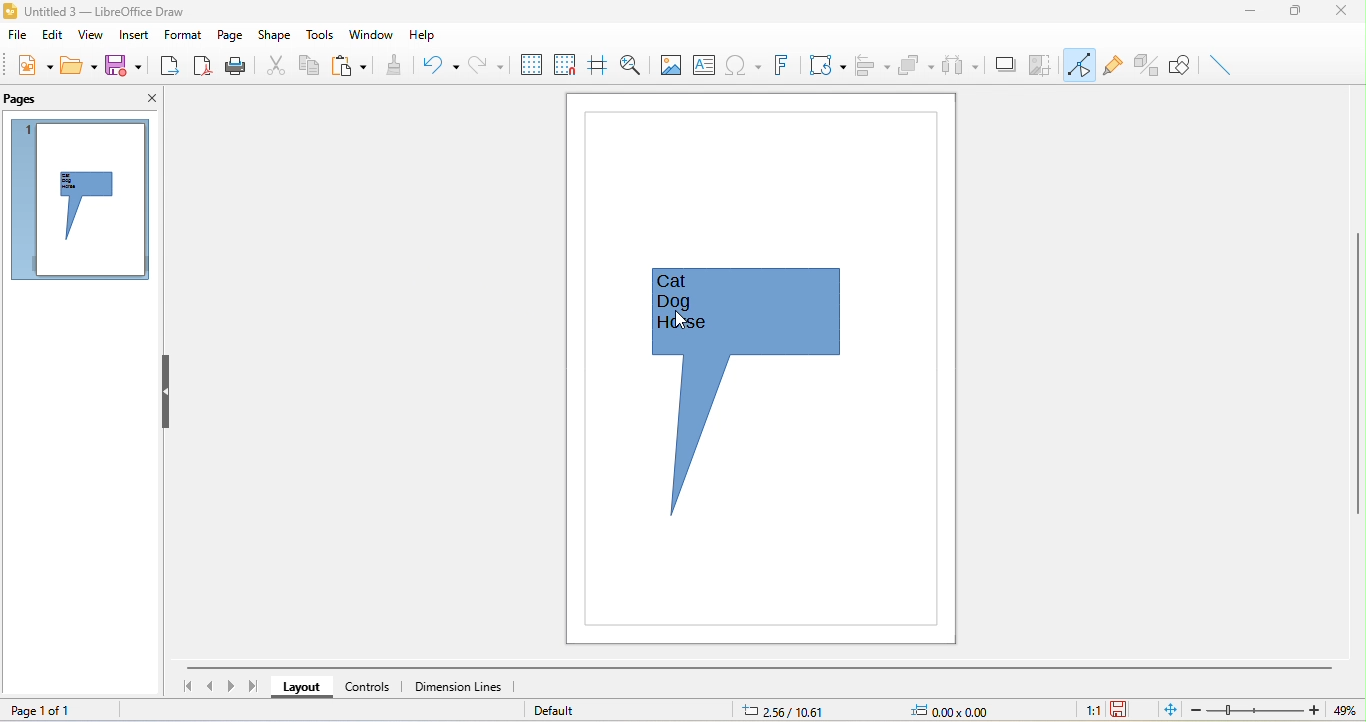  I want to click on window, so click(375, 34).